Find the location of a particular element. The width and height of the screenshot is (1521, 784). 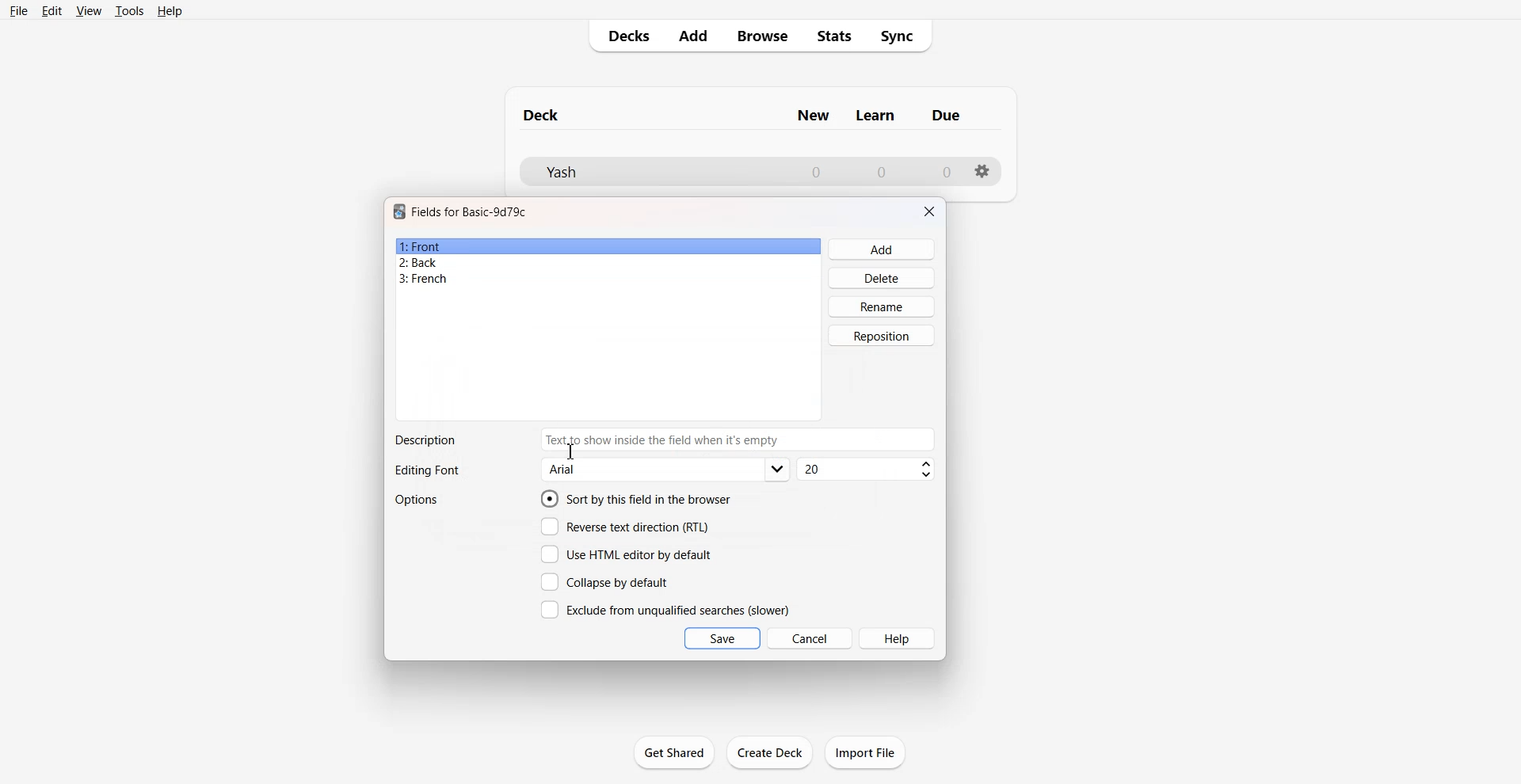

French is located at coordinates (608, 279).